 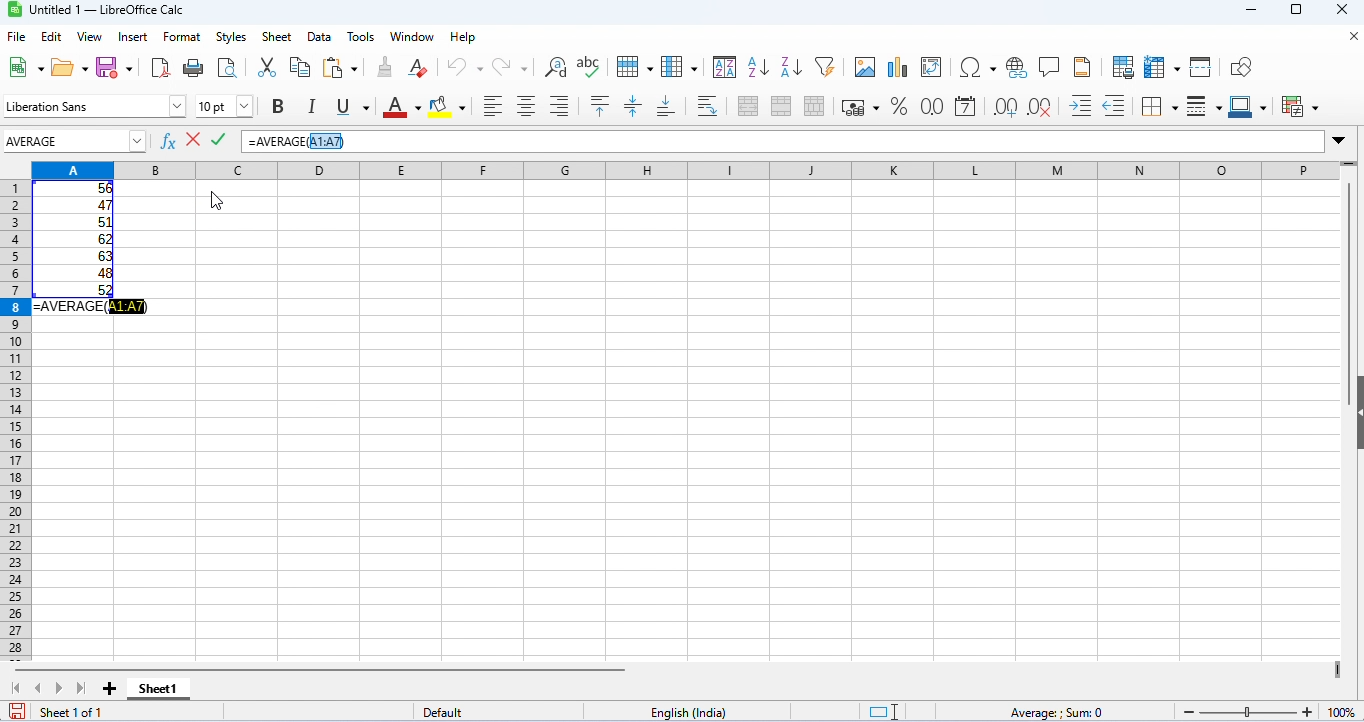 What do you see at coordinates (13, 422) in the screenshot?
I see `row numbers` at bounding box center [13, 422].